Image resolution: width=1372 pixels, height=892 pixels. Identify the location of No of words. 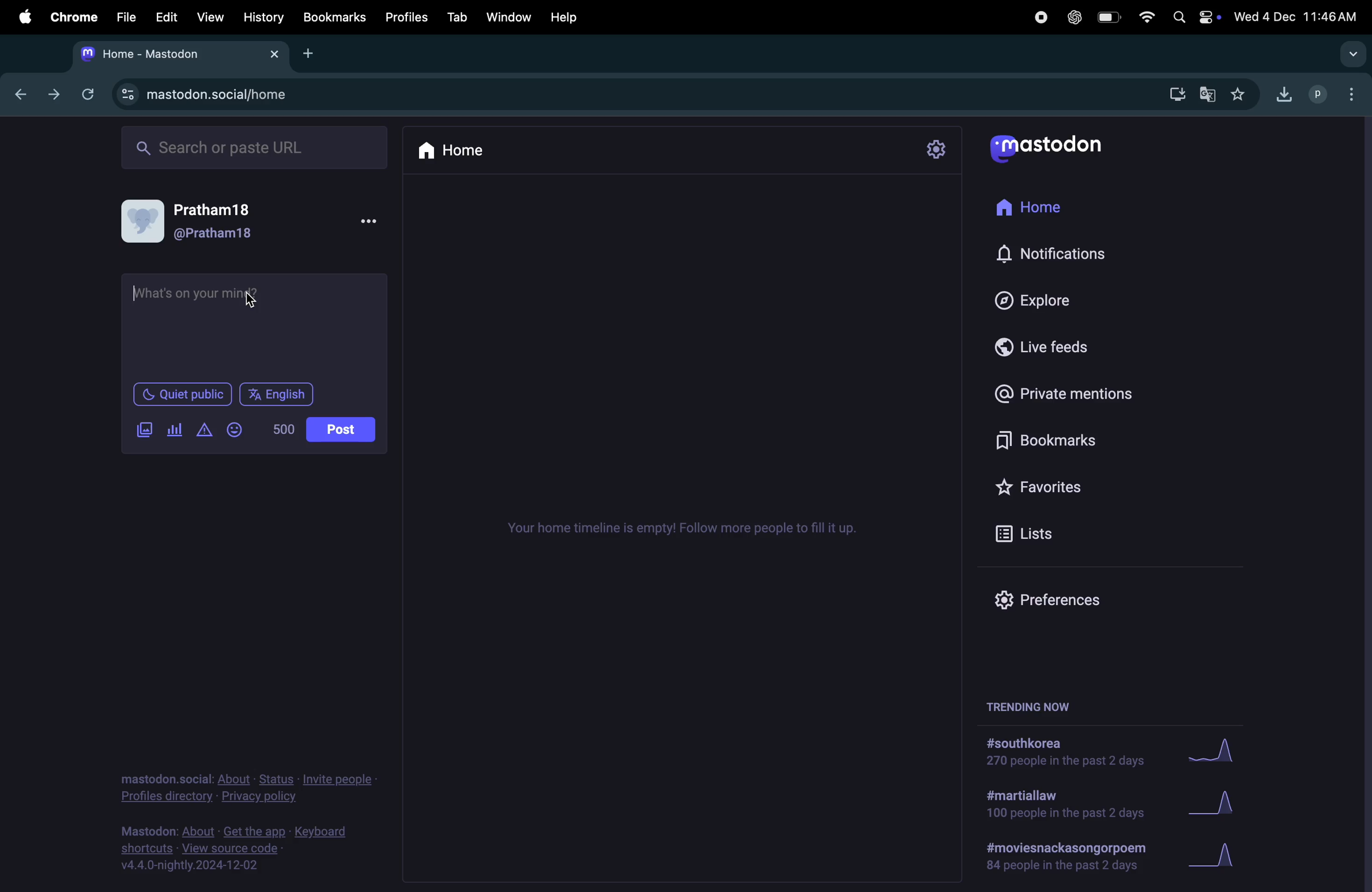
(282, 429).